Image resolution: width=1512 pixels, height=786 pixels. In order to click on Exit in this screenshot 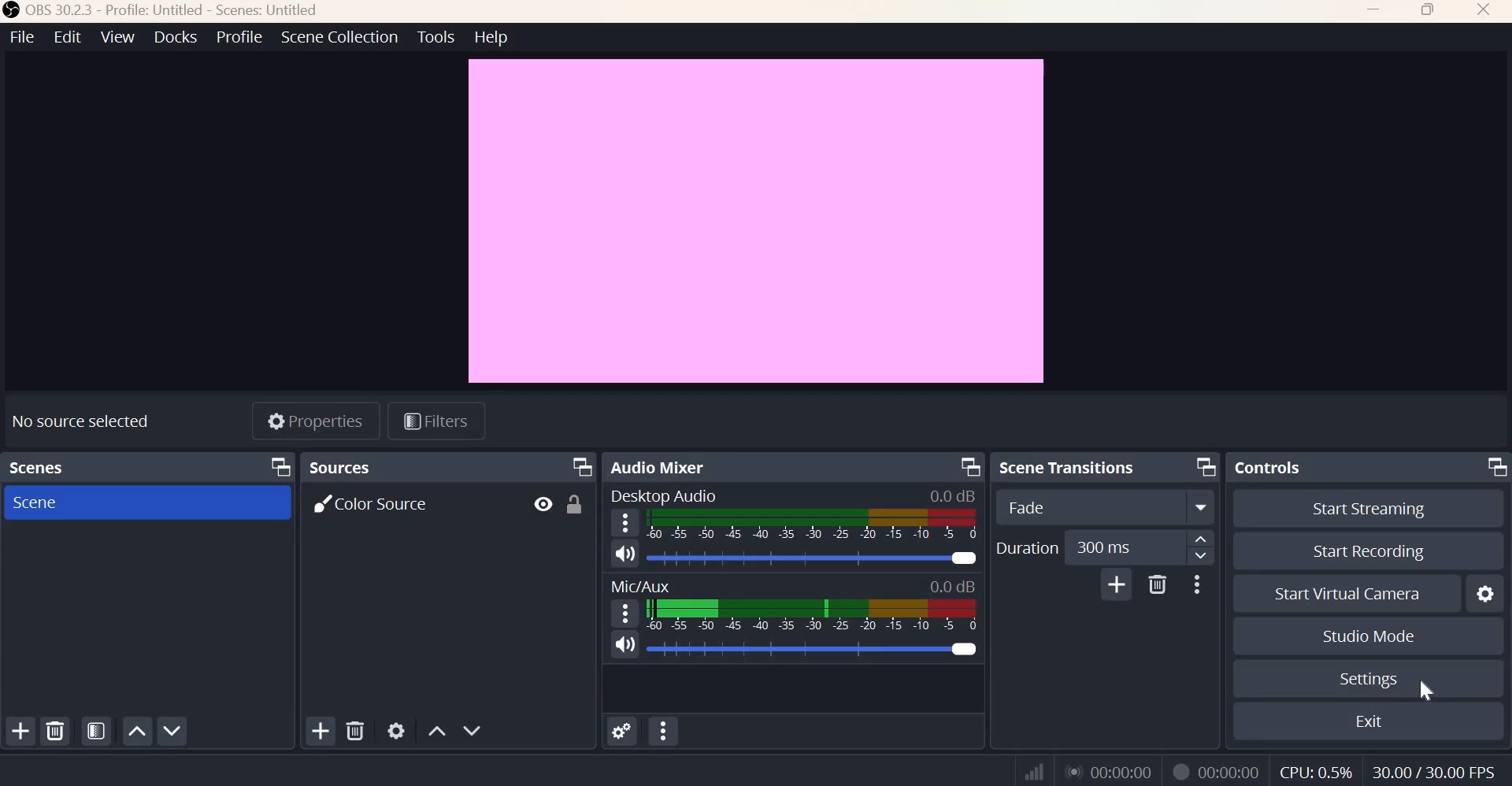, I will do `click(1369, 723)`.